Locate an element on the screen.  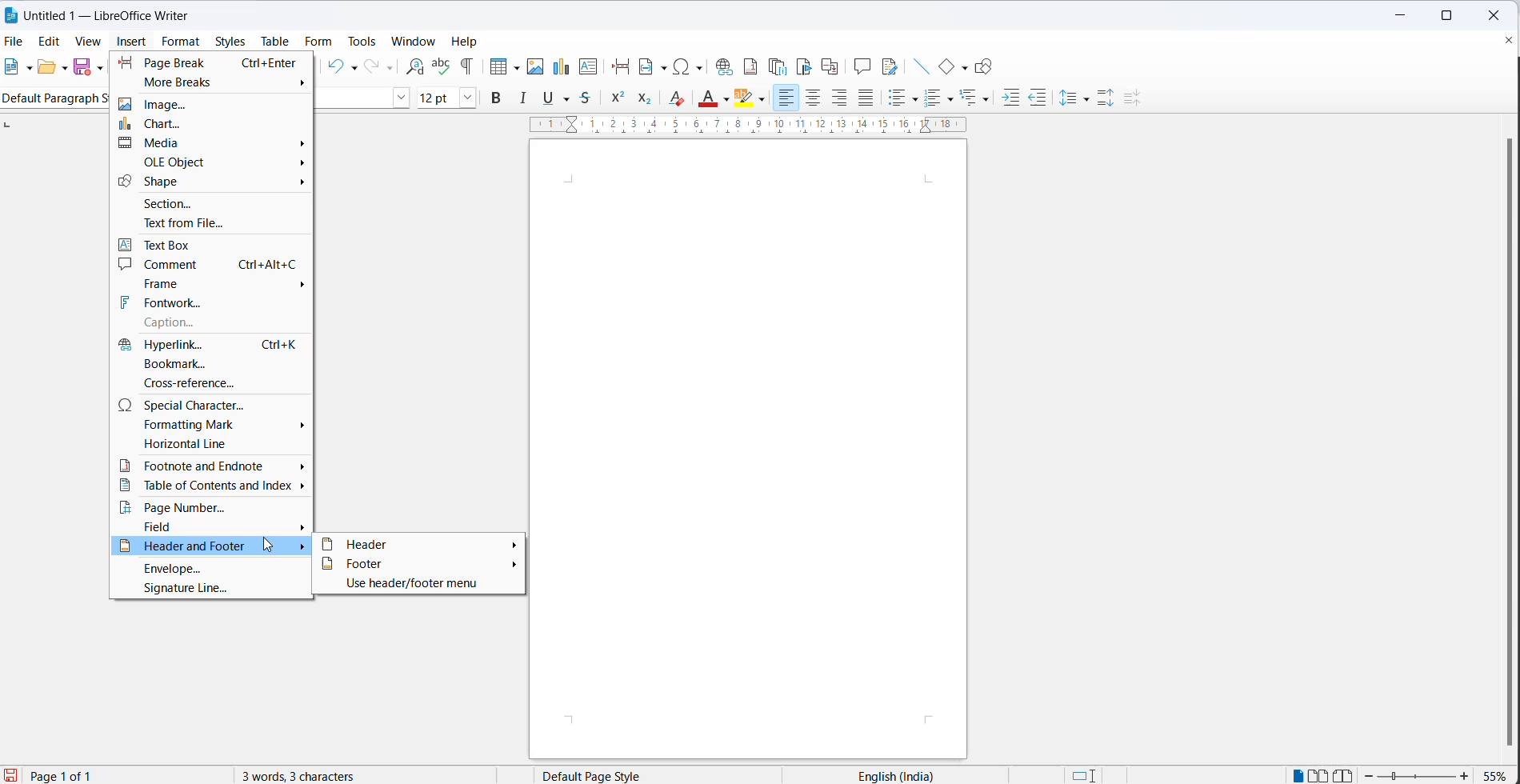
double page view is located at coordinates (1319, 774).